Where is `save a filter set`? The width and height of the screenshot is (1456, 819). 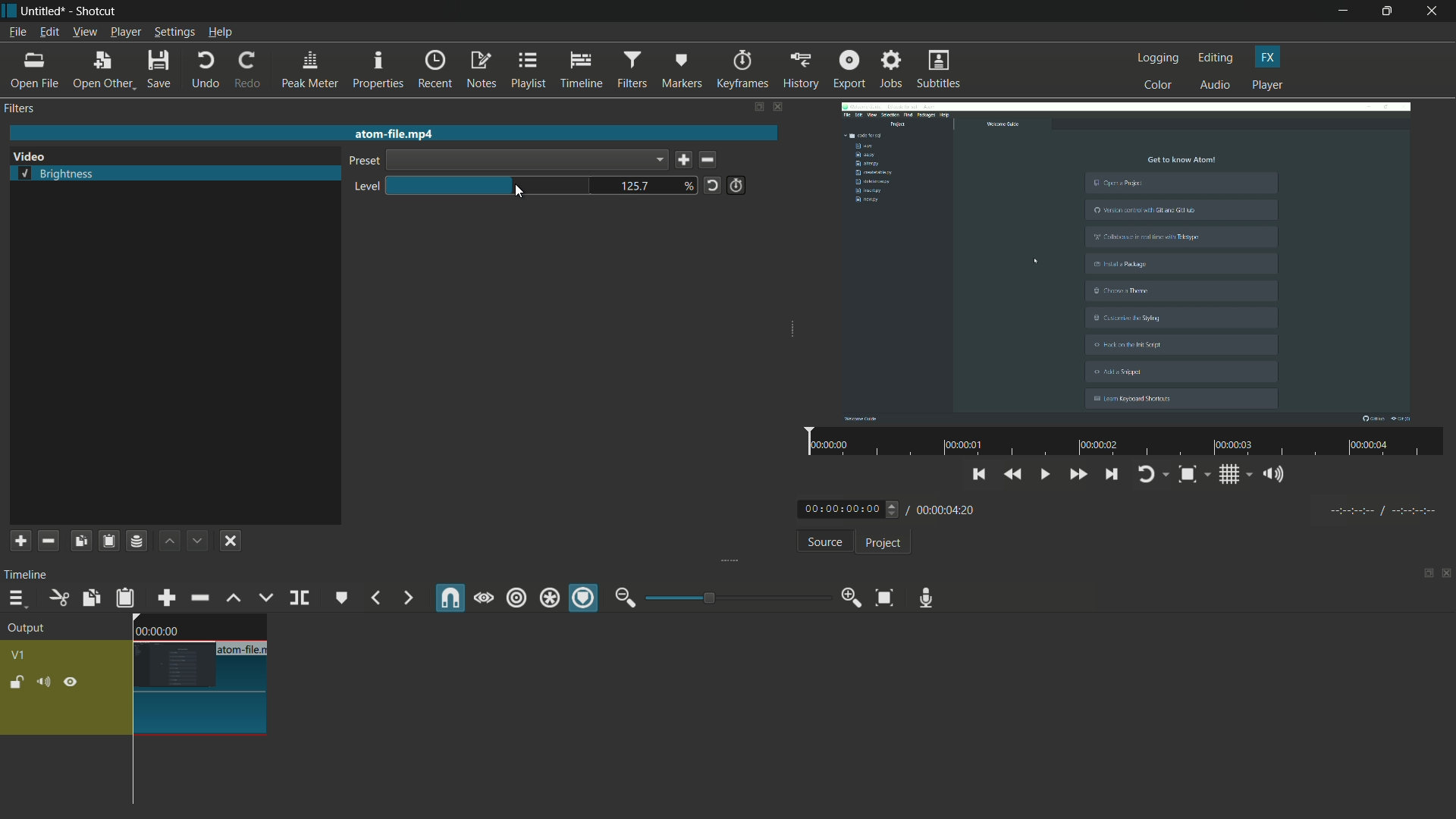
save a filter set is located at coordinates (136, 542).